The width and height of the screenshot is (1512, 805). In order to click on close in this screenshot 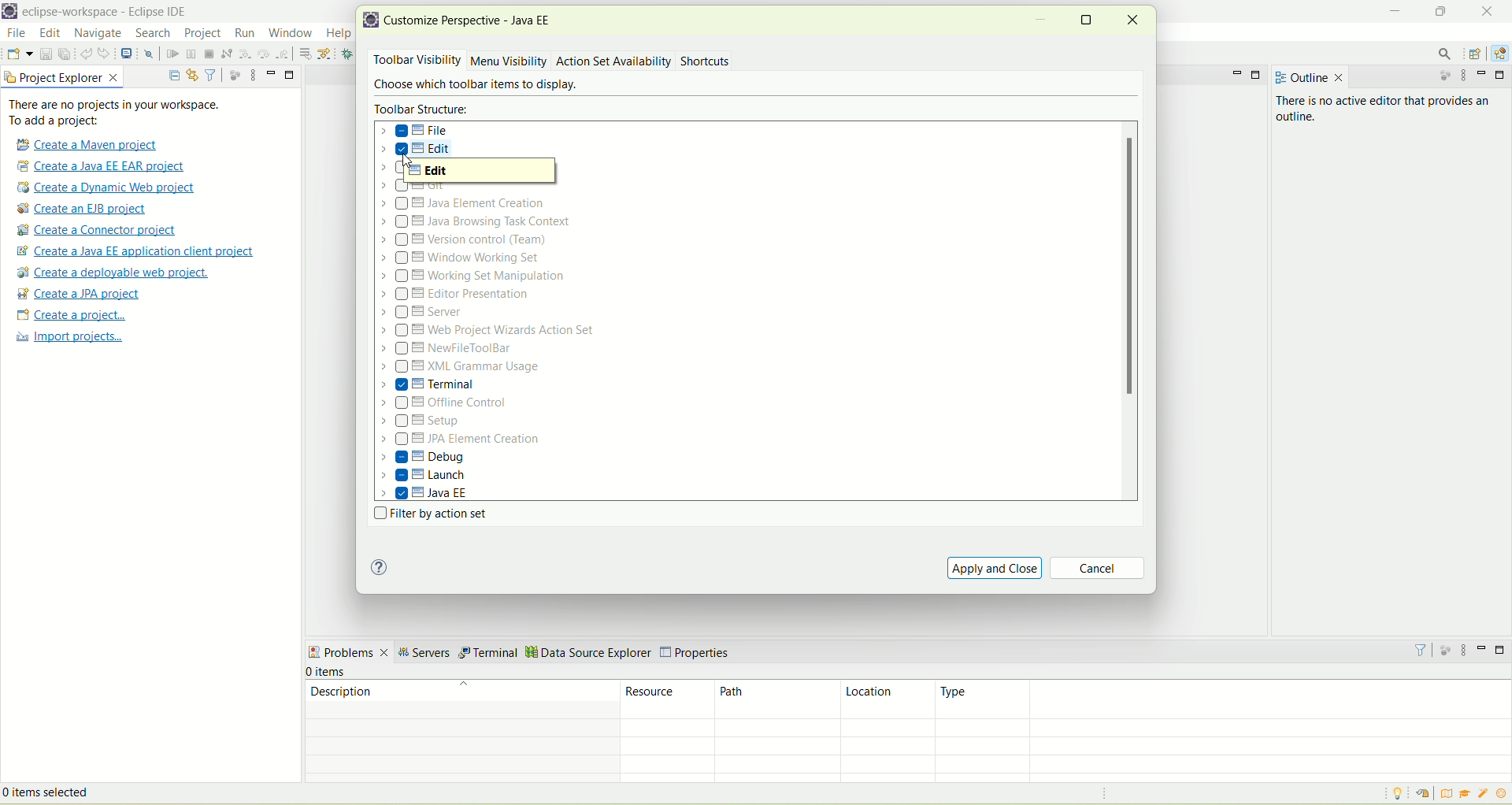, I will do `click(1484, 10)`.